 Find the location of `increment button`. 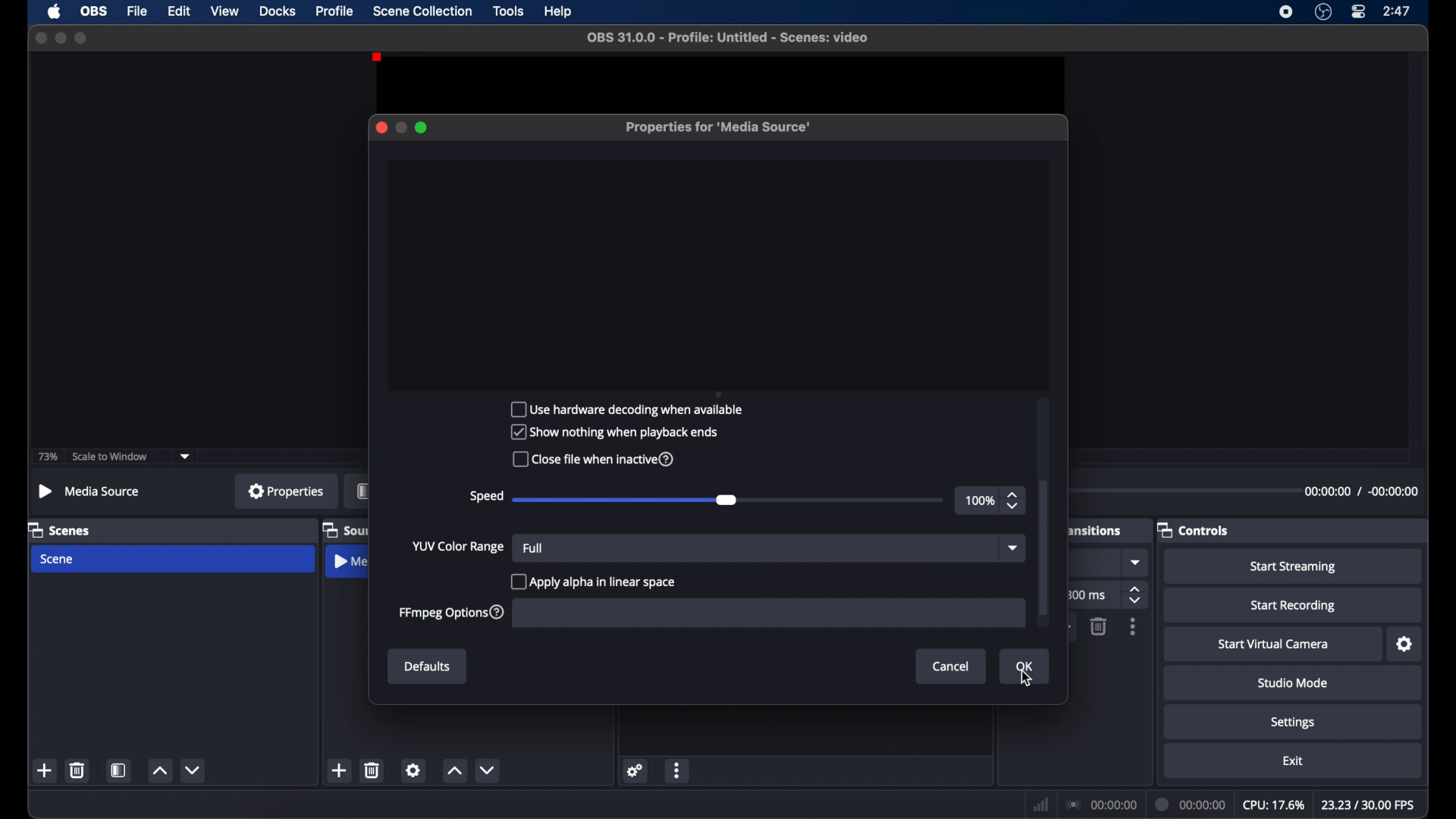

increment button is located at coordinates (454, 771).